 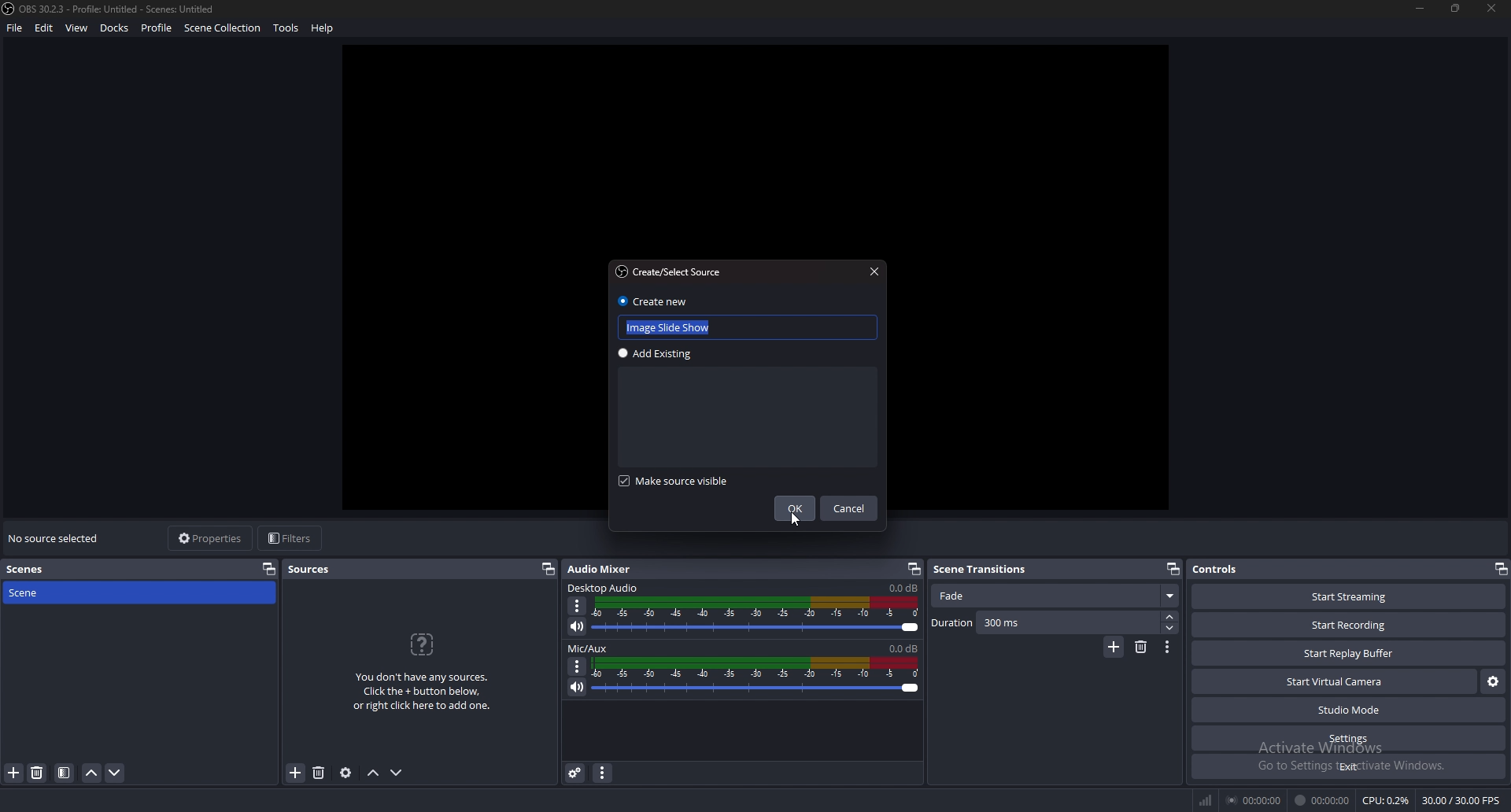 What do you see at coordinates (296, 772) in the screenshot?
I see `add source` at bounding box center [296, 772].